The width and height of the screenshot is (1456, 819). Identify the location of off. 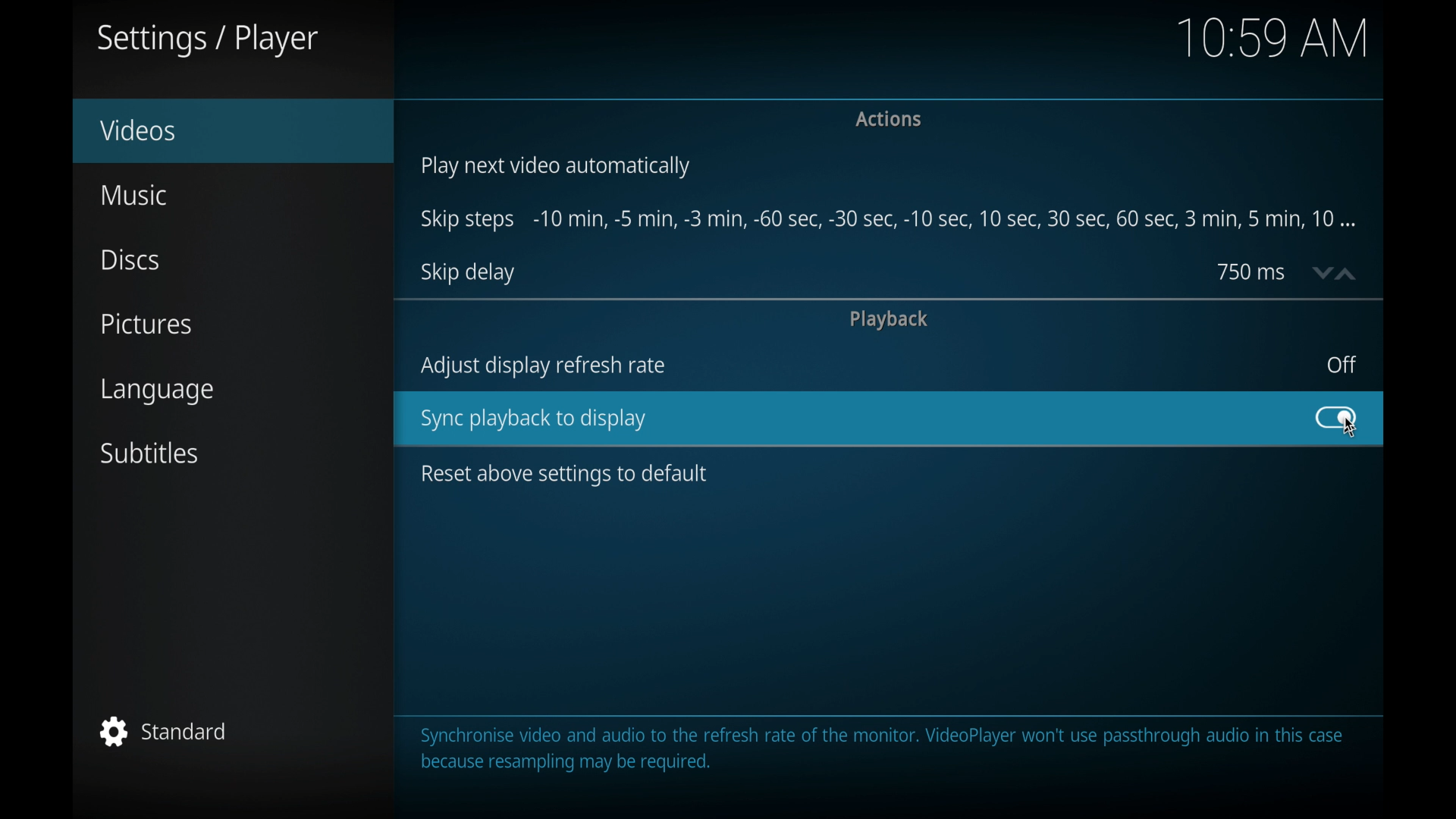
(1344, 366).